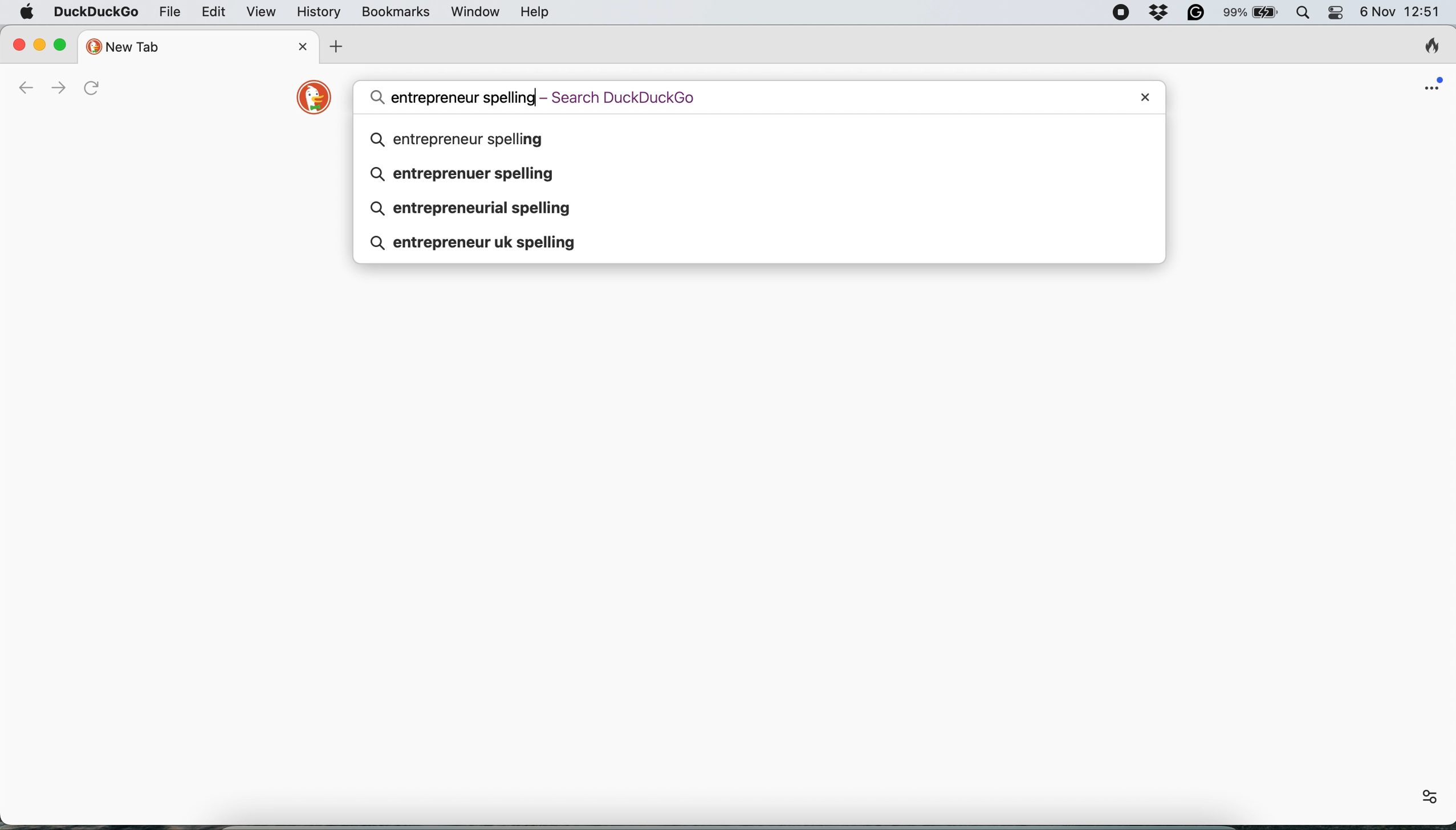 The width and height of the screenshot is (1456, 830). I want to click on new tab, so click(198, 44).